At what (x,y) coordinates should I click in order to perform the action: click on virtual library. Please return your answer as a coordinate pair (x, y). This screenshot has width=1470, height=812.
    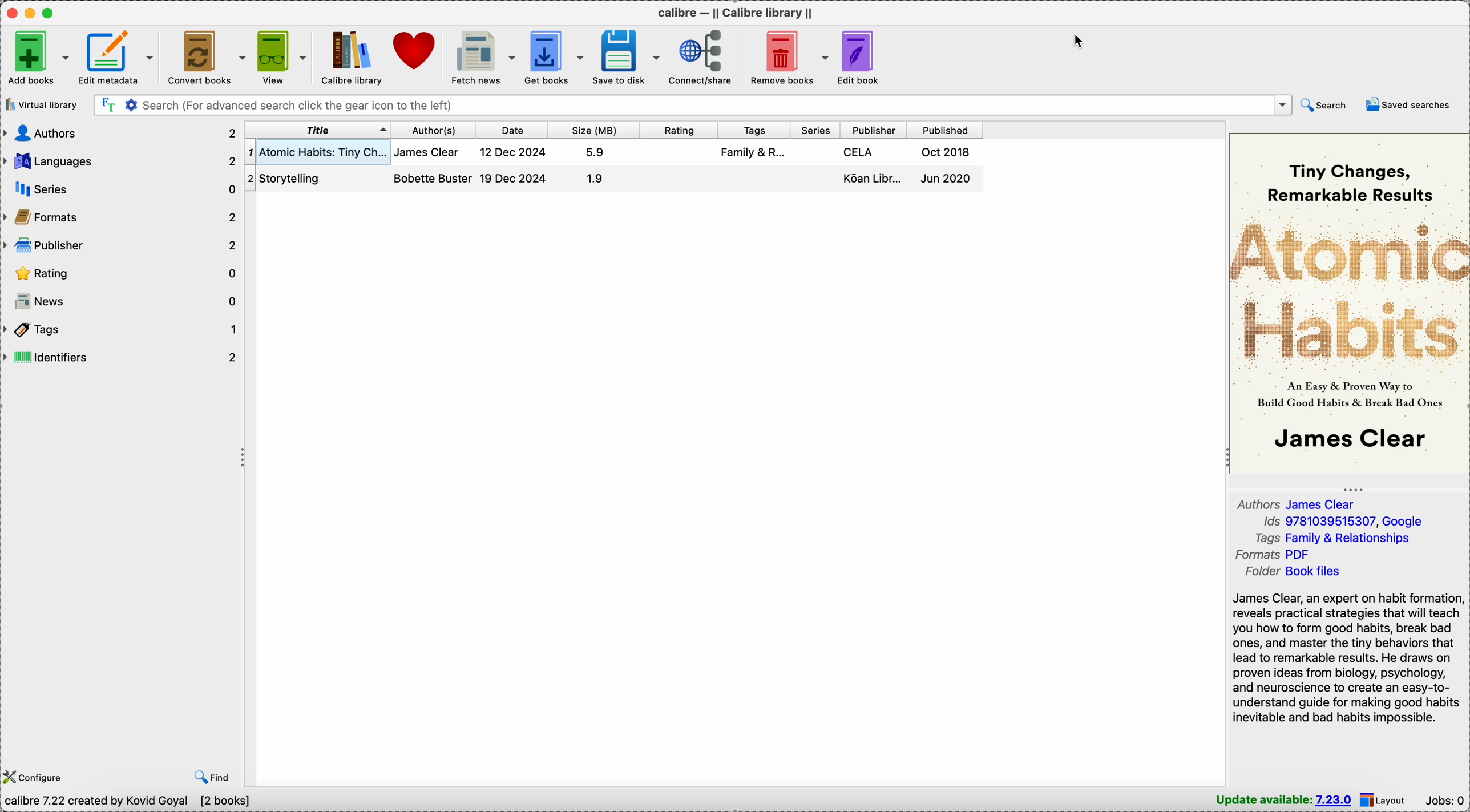
    Looking at the image, I should click on (42, 106).